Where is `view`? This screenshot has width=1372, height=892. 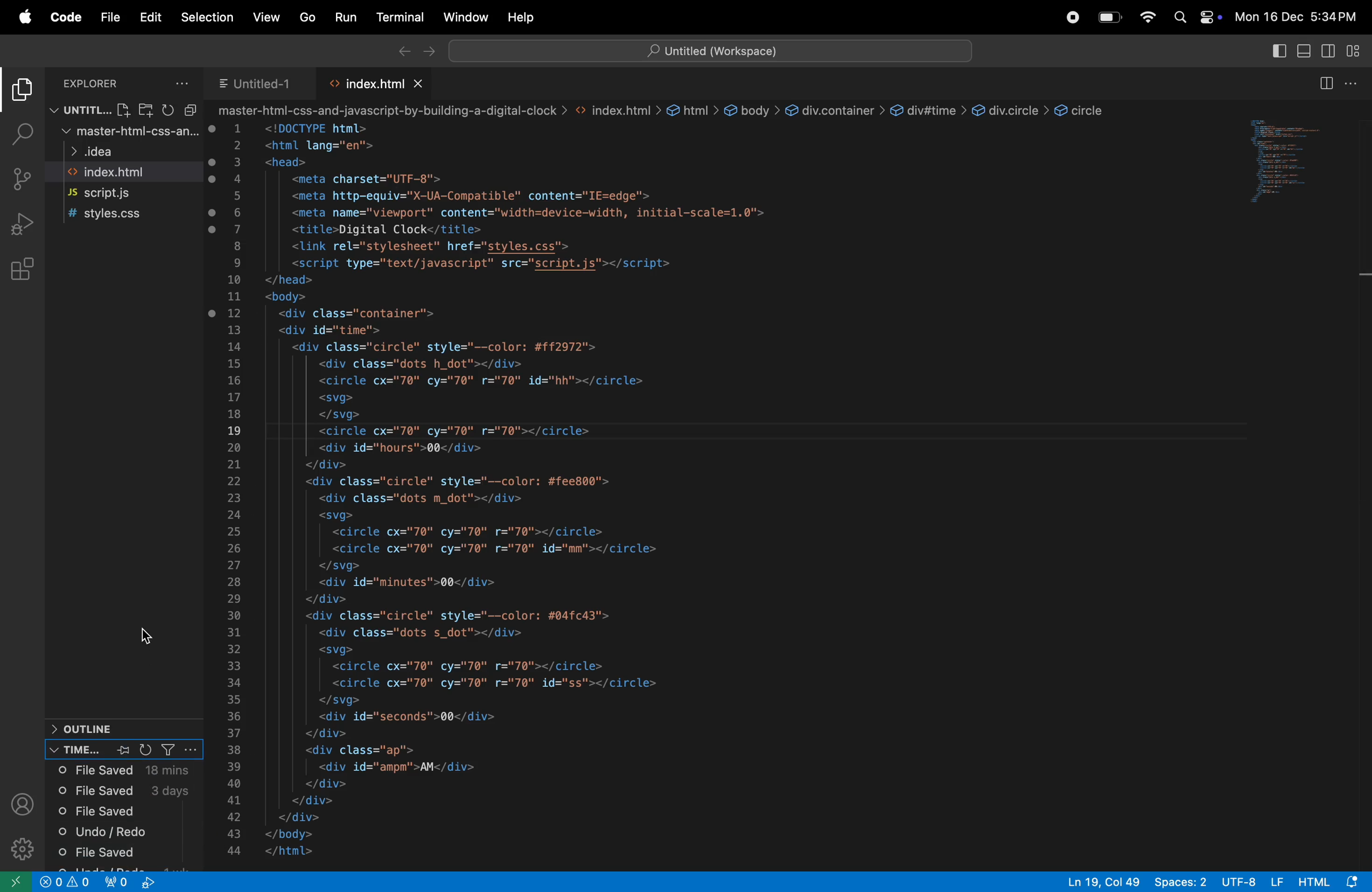 view is located at coordinates (266, 17).